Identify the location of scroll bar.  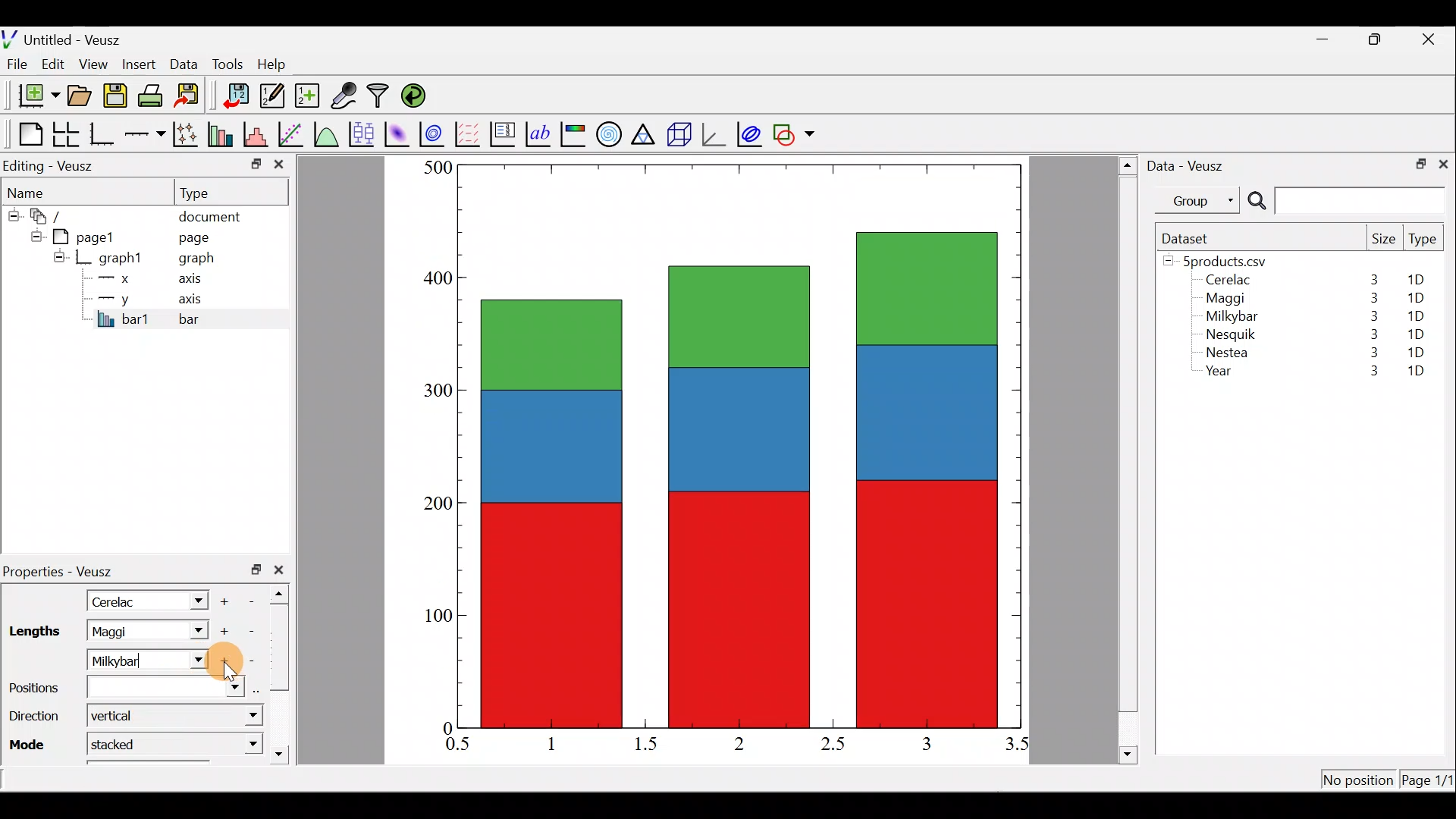
(1128, 457).